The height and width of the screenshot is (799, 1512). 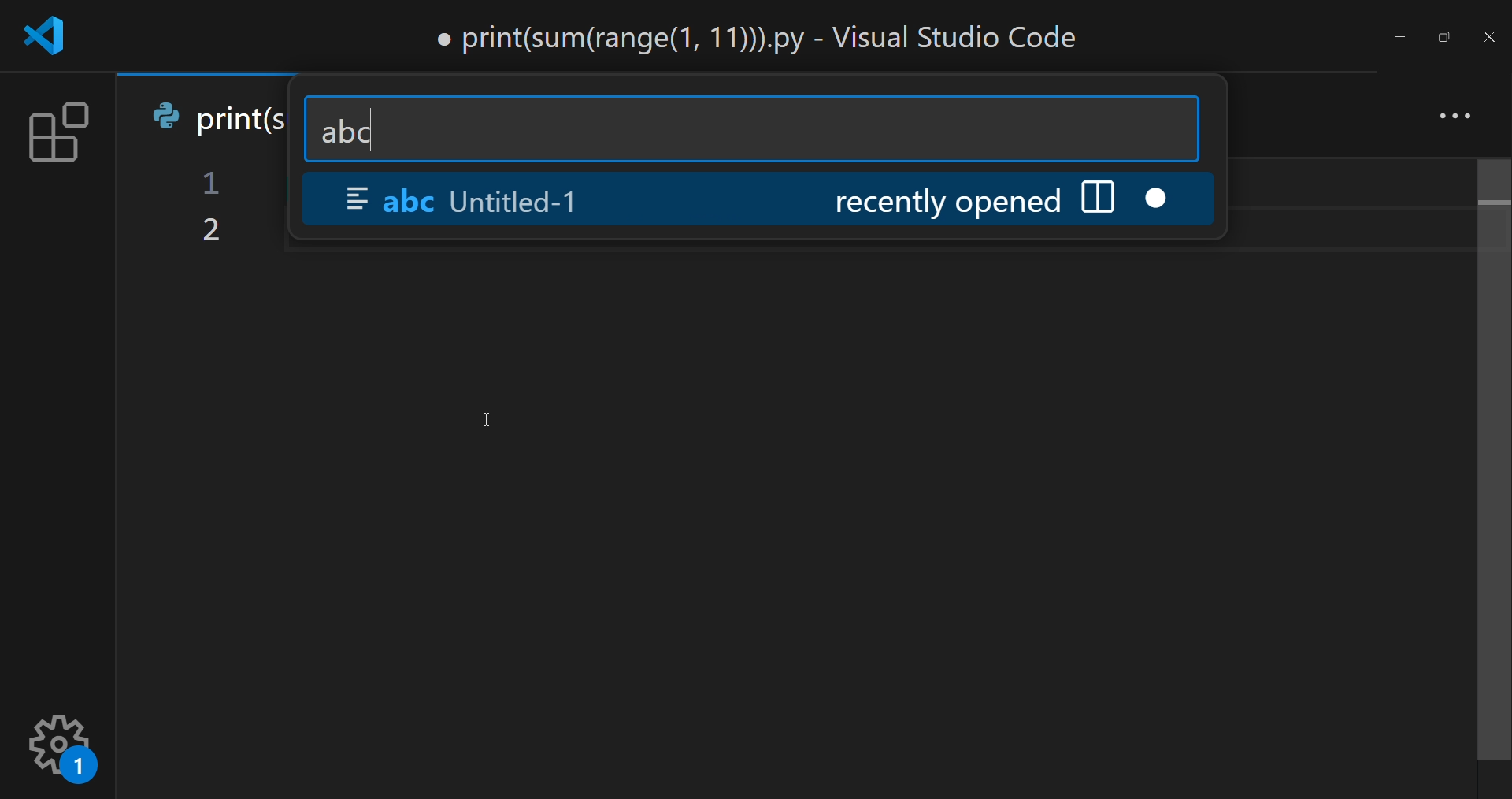 I want to click on 2, so click(x=209, y=230).